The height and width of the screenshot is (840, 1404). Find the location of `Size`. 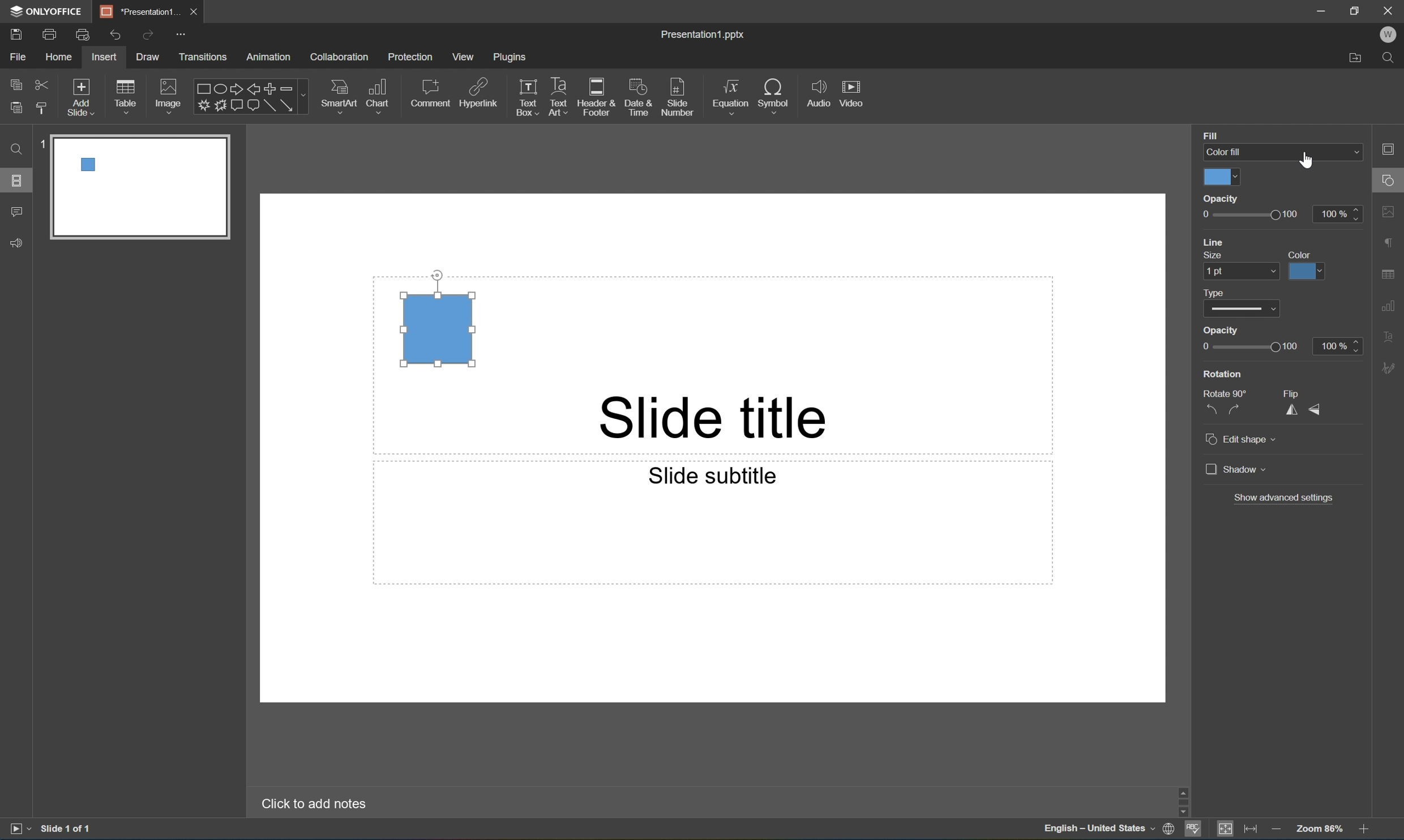

Size is located at coordinates (1210, 258).